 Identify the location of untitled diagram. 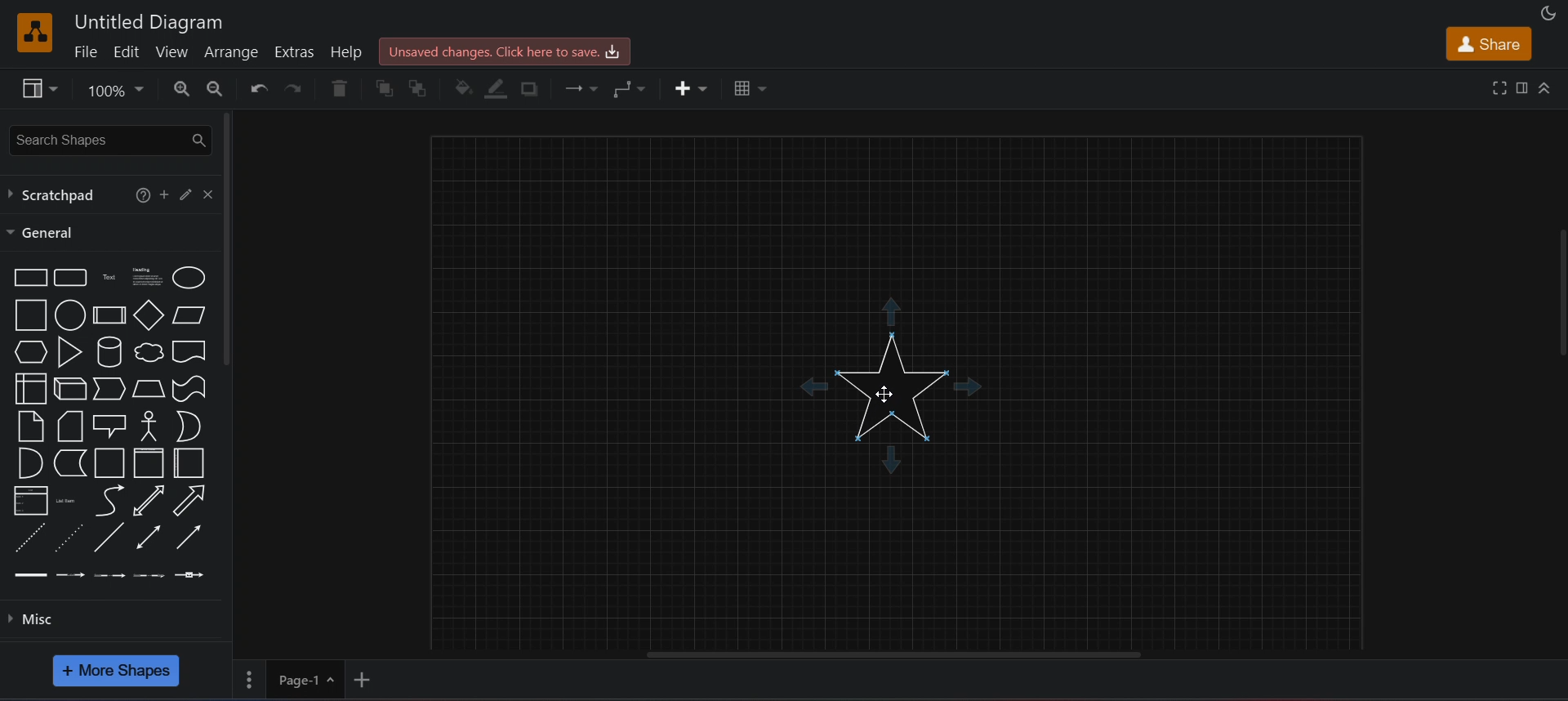
(152, 25).